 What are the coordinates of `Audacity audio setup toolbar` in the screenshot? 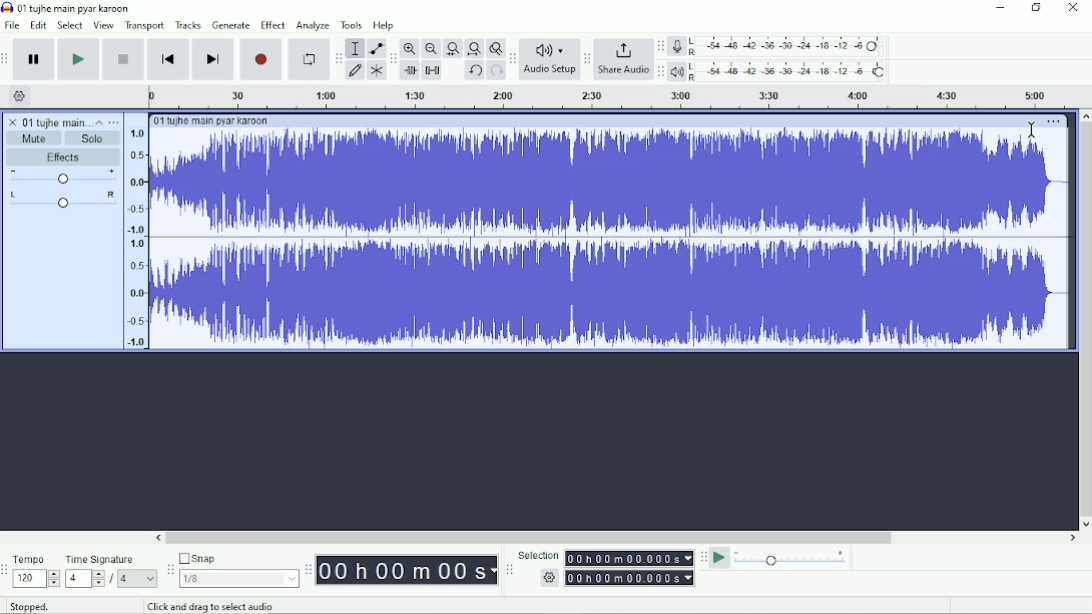 It's located at (512, 59).